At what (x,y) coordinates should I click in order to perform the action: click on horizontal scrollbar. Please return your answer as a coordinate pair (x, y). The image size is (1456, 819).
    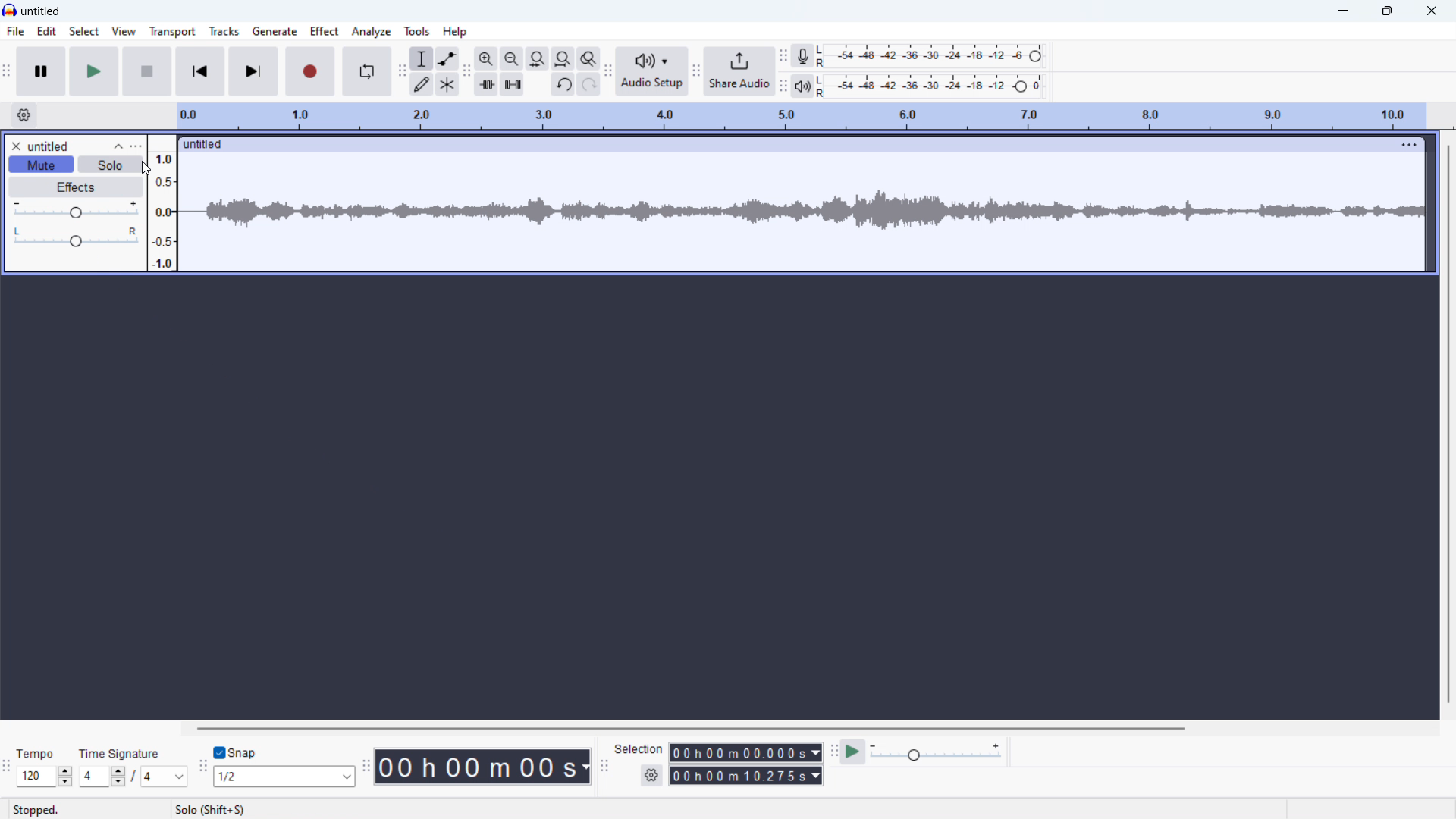
    Looking at the image, I should click on (689, 728).